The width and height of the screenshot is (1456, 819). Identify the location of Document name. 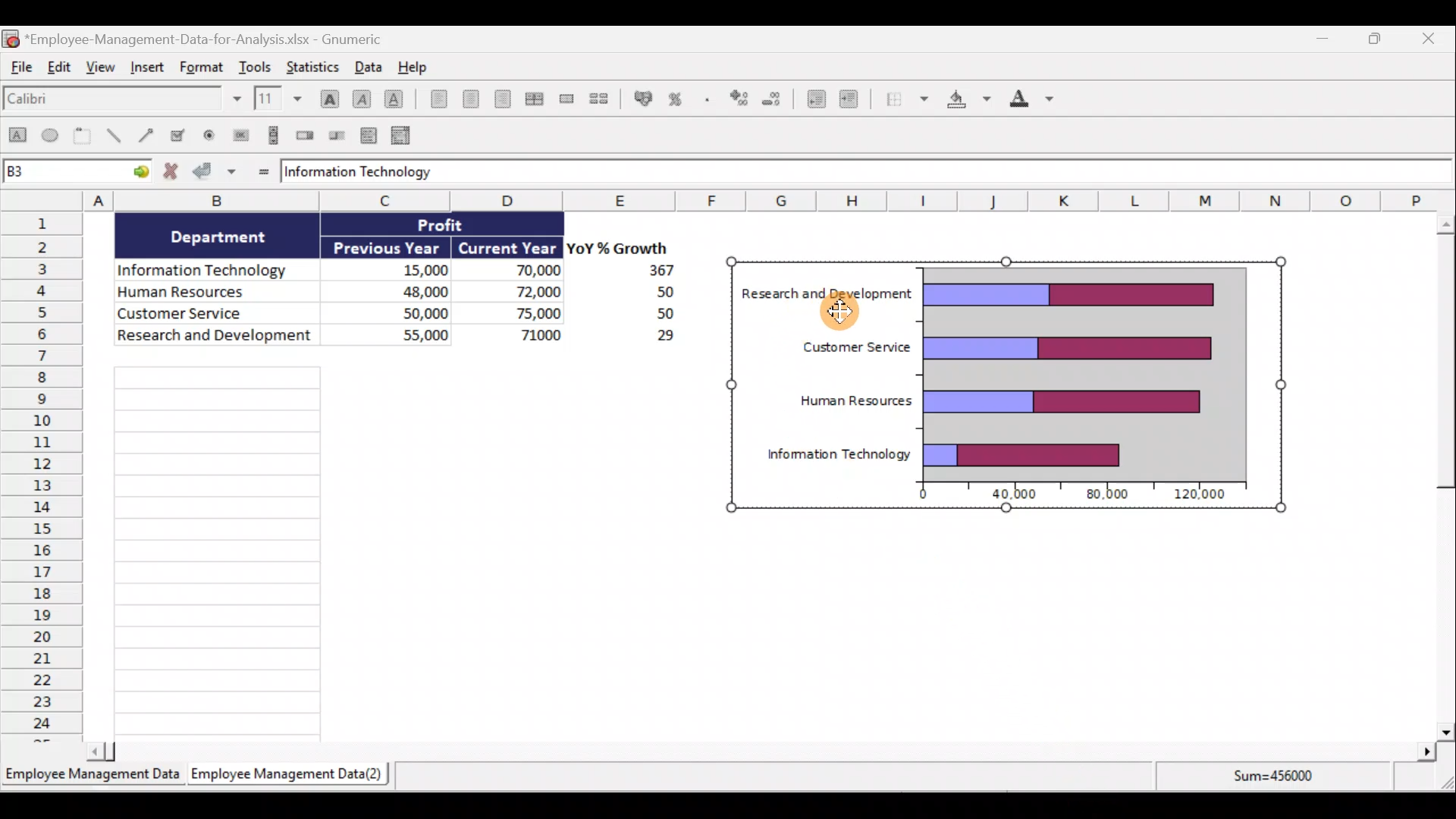
(194, 37).